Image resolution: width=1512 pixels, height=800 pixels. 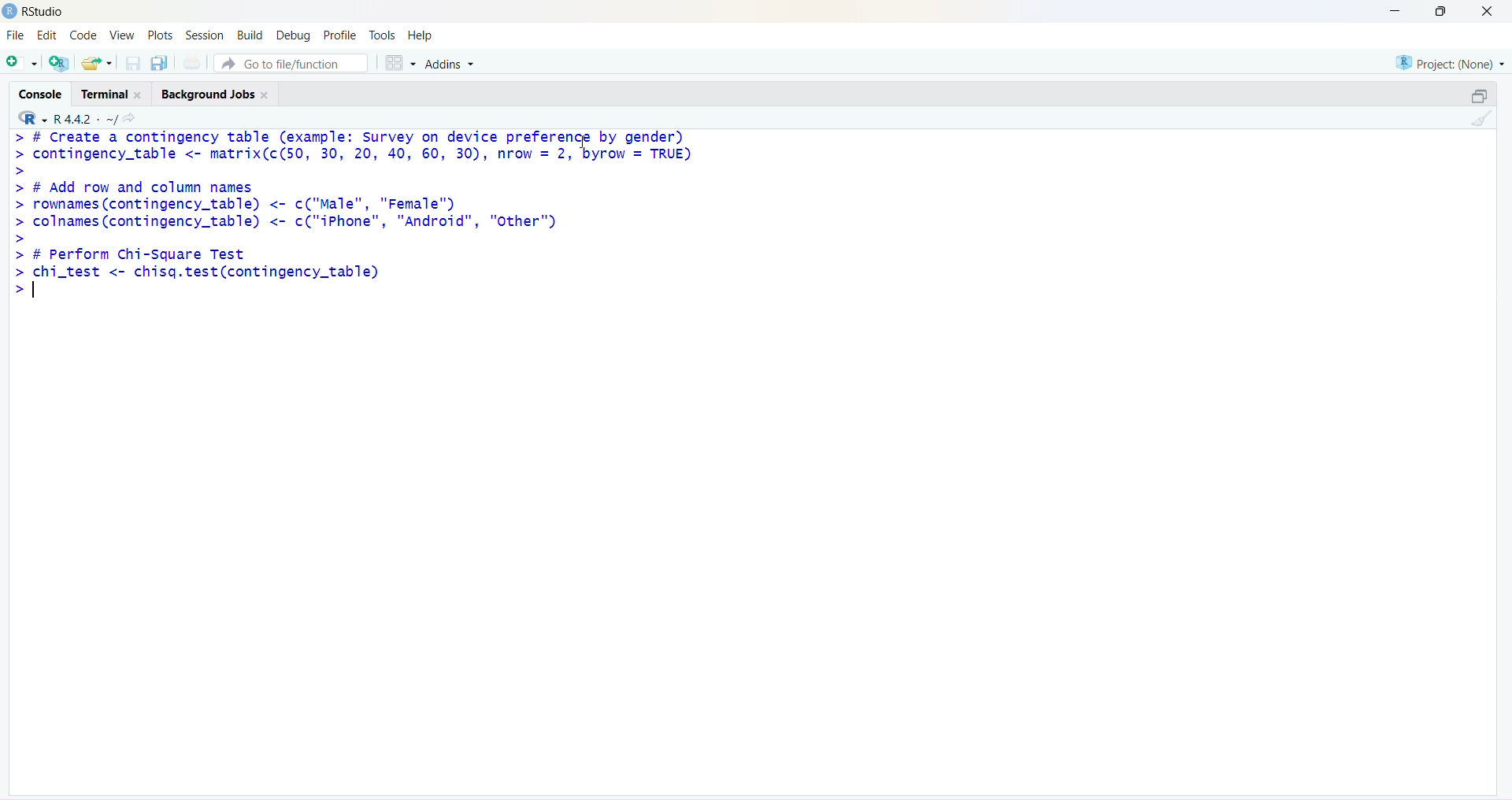 I want to click on Help, so click(x=421, y=35).